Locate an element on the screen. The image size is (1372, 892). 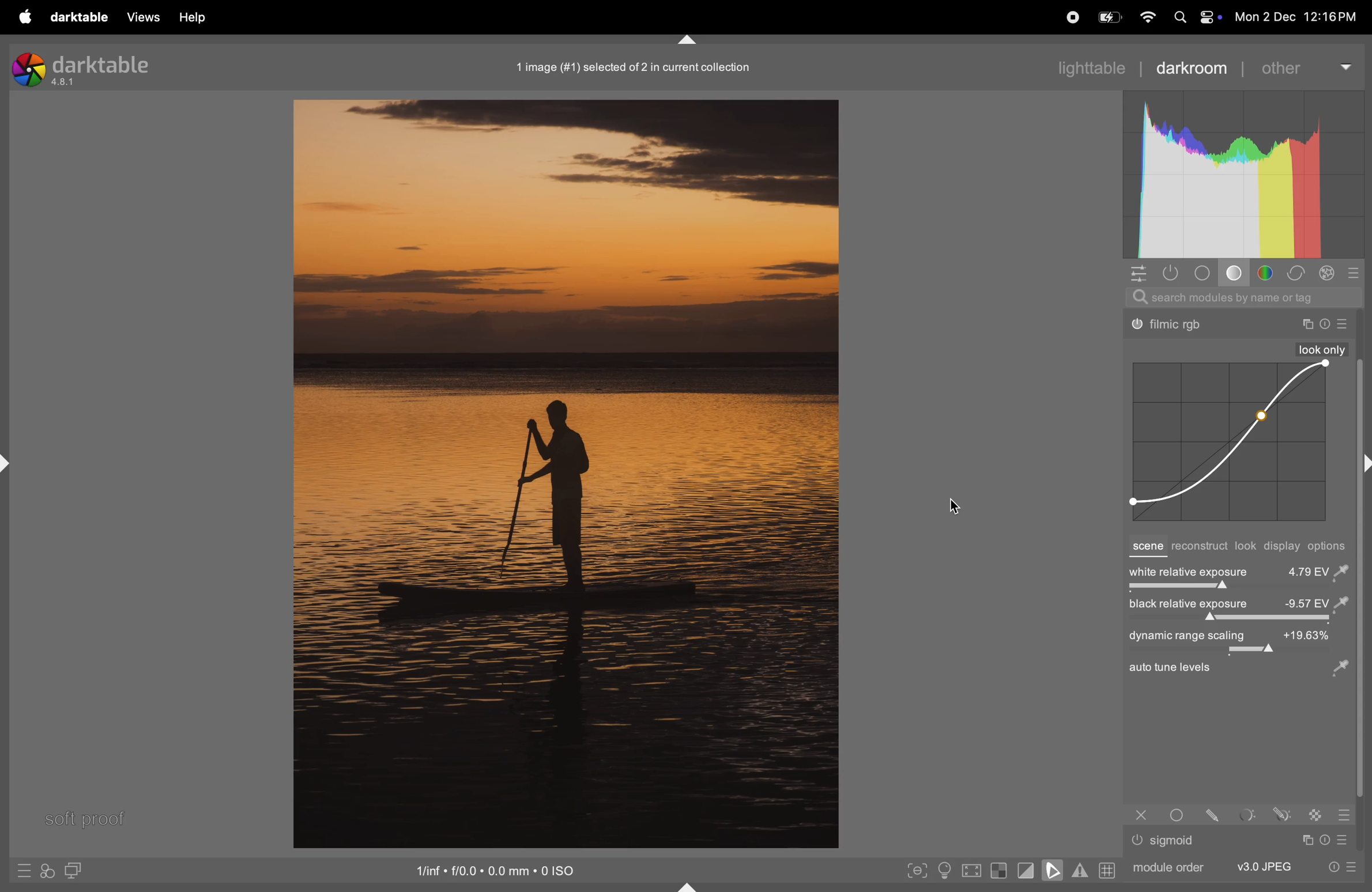
effect is located at coordinates (1327, 273).